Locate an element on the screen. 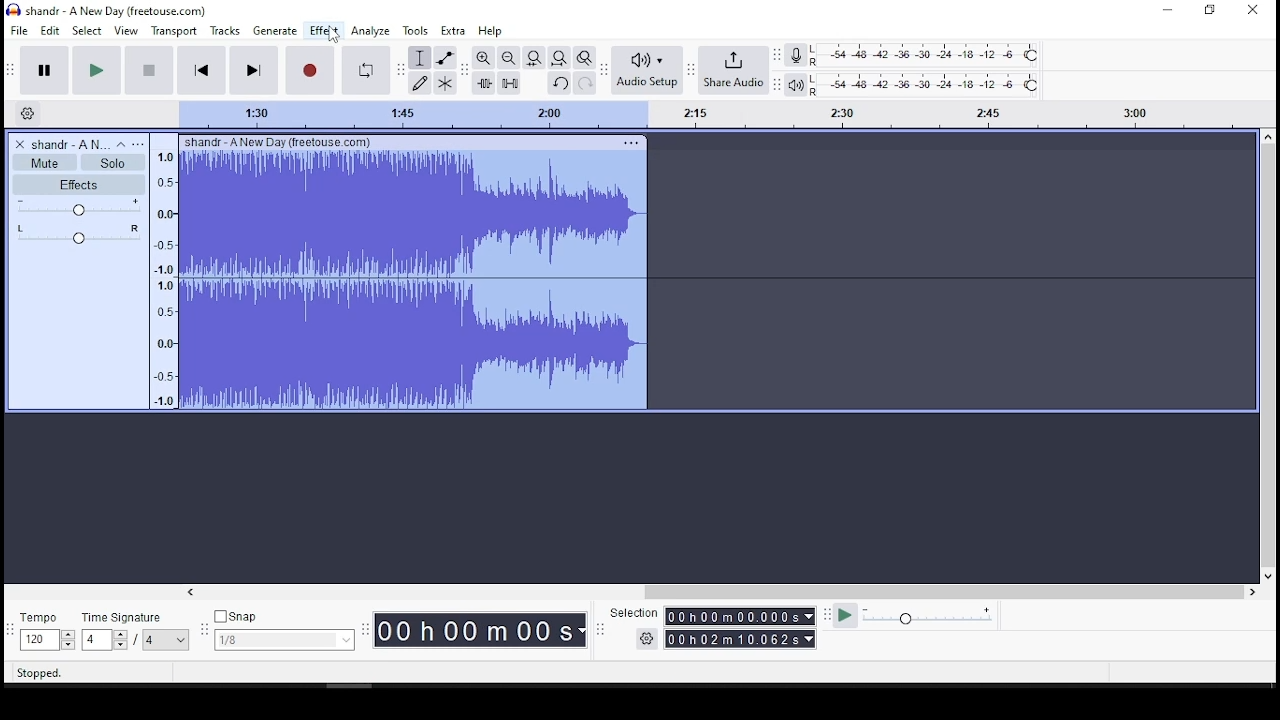  audio setup is located at coordinates (647, 71).